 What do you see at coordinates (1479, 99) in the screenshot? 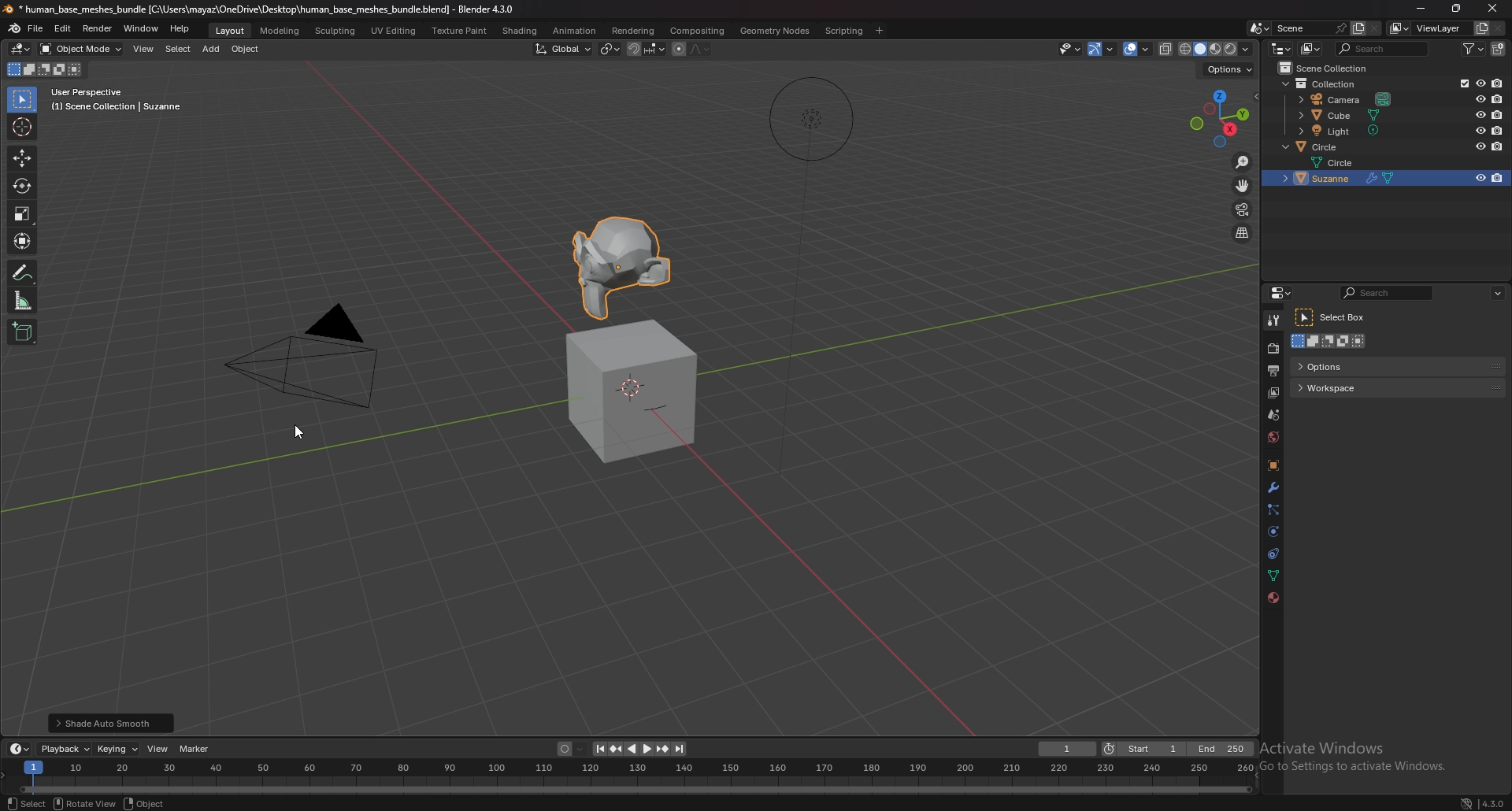
I see `hide in viewport` at bounding box center [1479, 99].